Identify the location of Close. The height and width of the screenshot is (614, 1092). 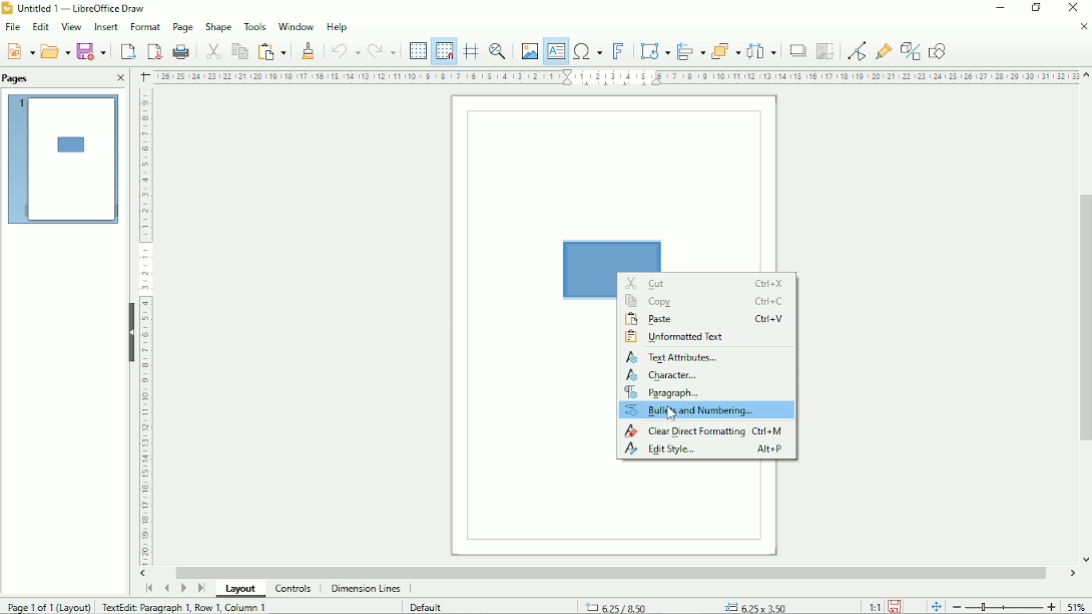
(1083, 27).